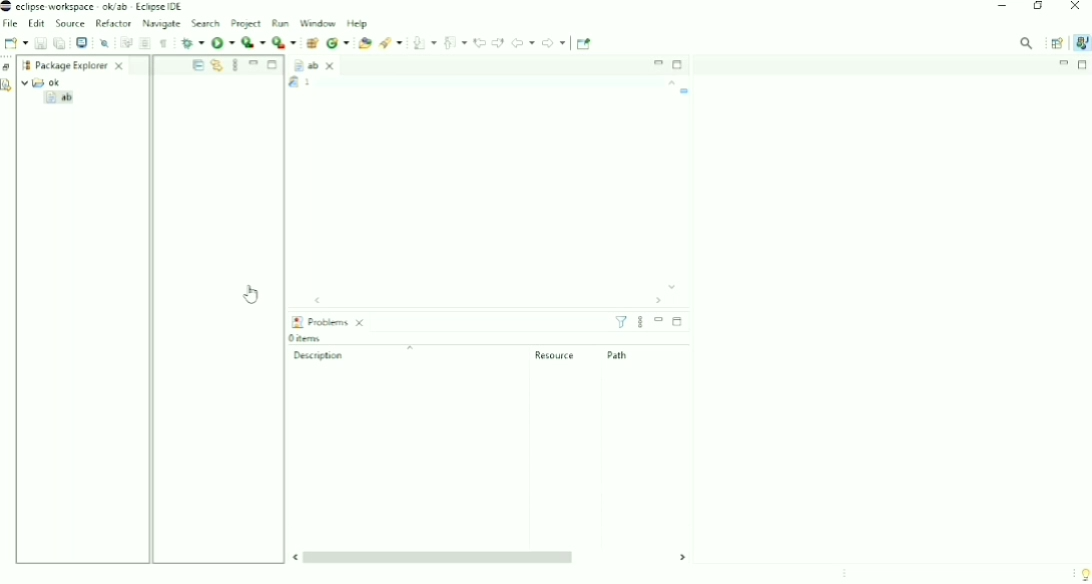 The image size is (1092, 584). I want to click on Maximize, so click(679, 65).